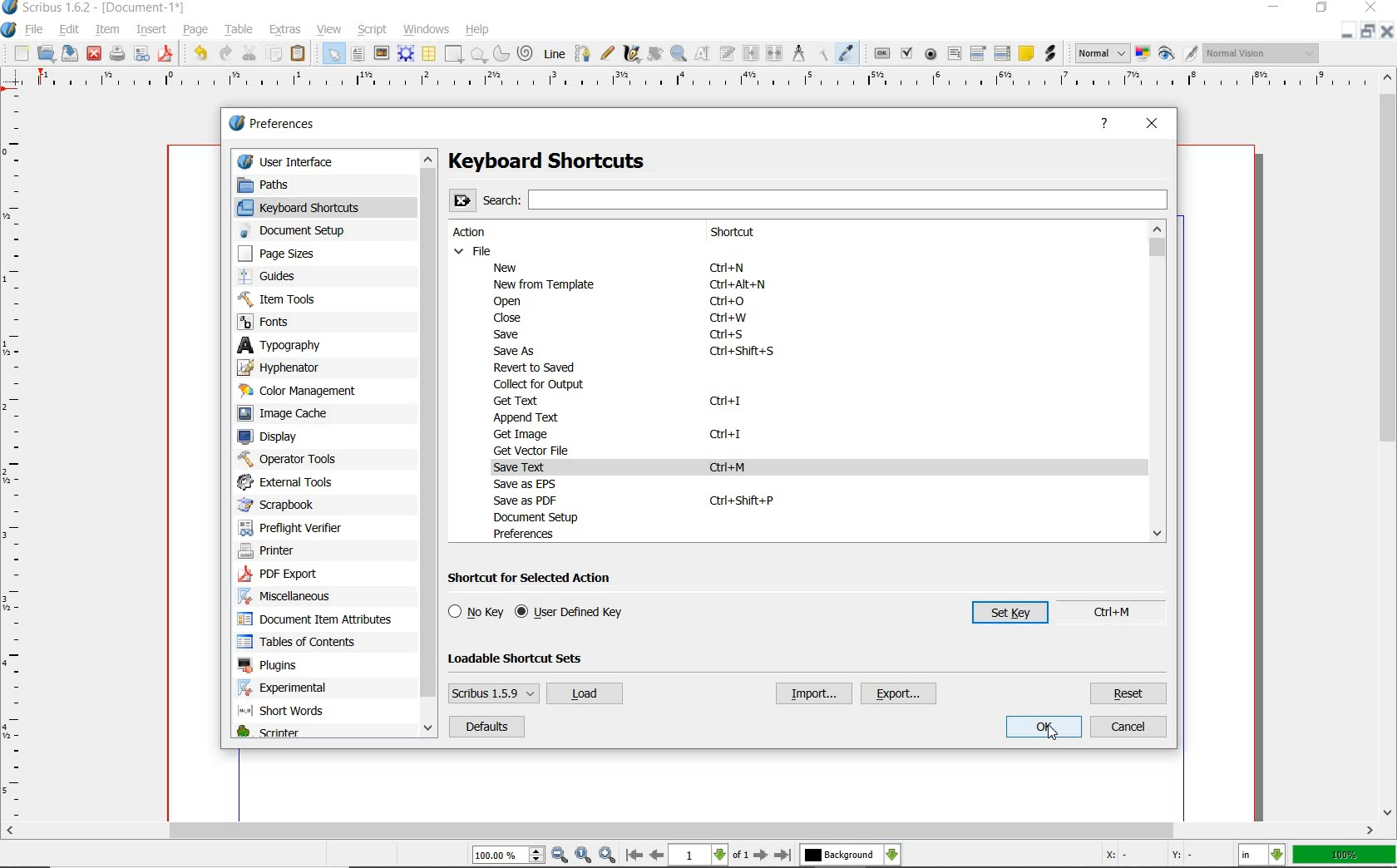 This screenshot has width=1397, height=868. I want to click on view, so click(330, 30).